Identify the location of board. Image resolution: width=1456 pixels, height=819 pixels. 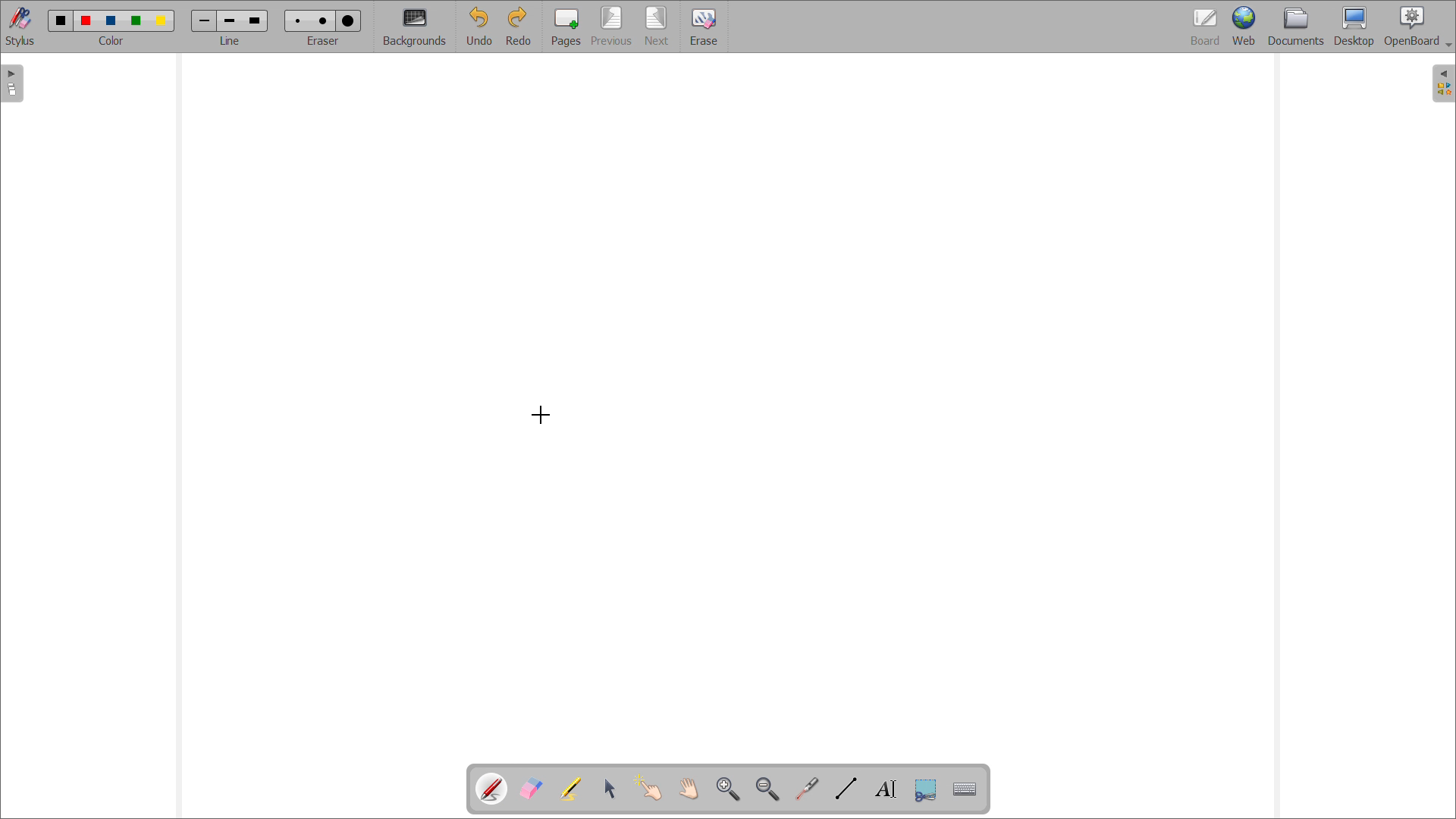
(1204, 27).